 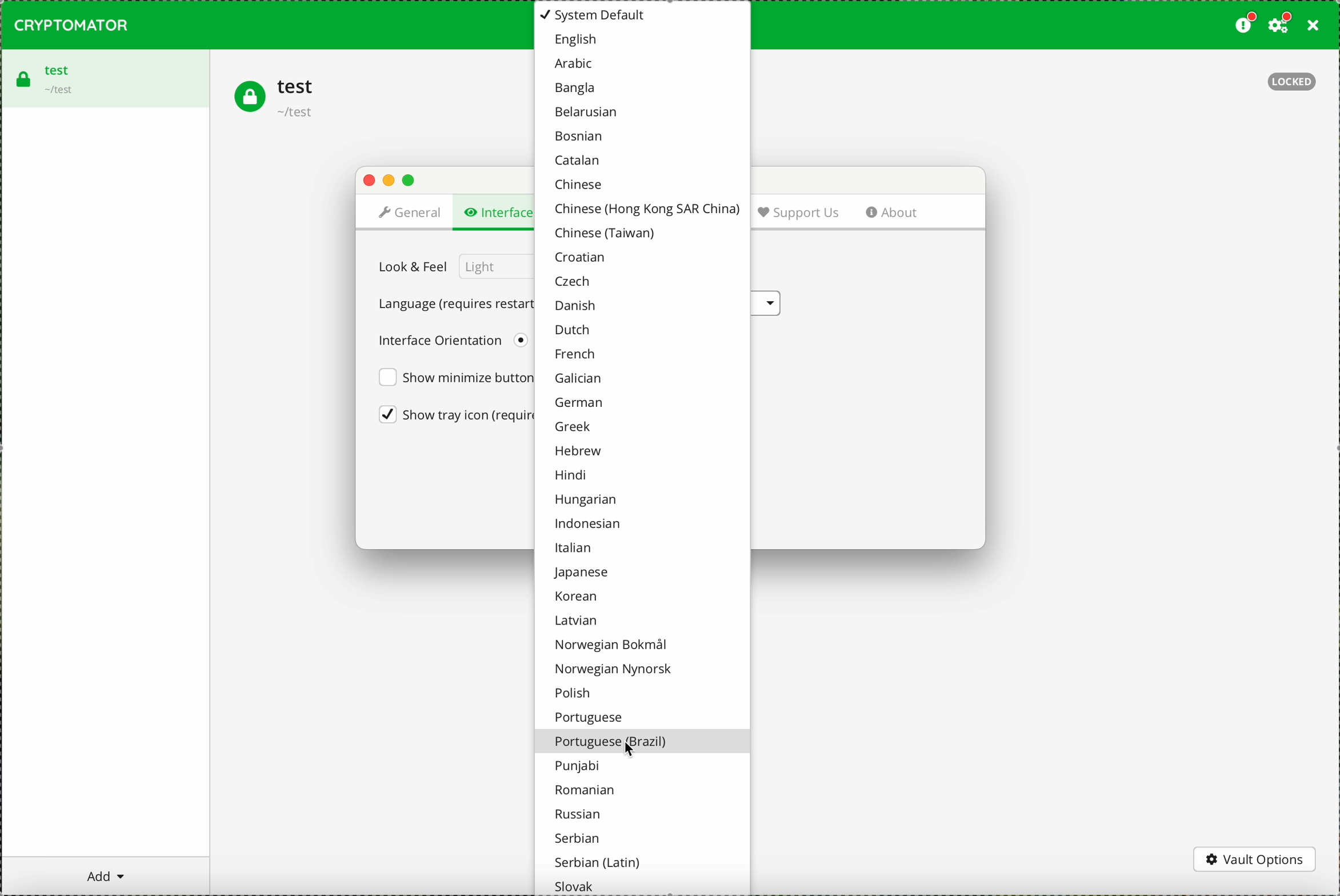 I want to click on japanese, so click(x=579, y=574).